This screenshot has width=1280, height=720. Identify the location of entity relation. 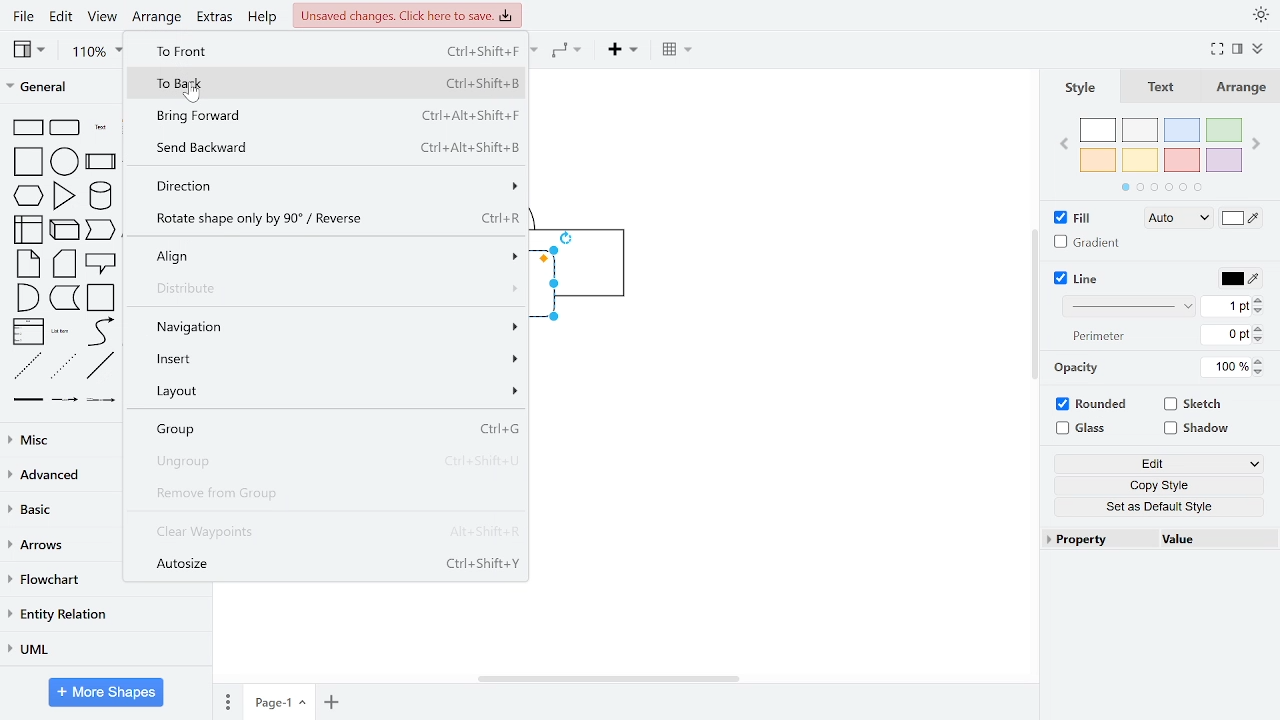
(105, 613).